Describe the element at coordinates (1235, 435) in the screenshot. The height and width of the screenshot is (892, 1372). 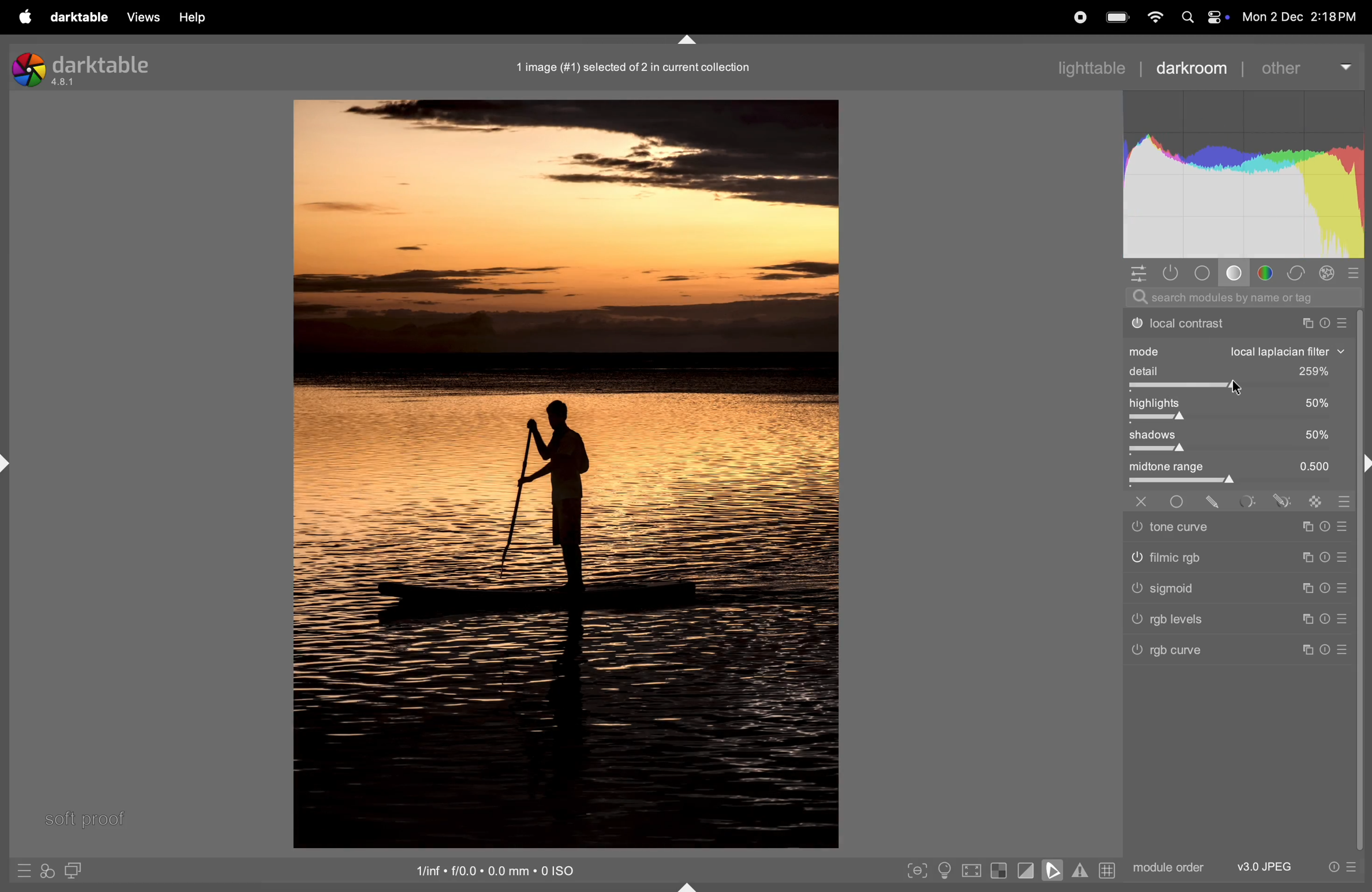
I see `shadows` at that location.